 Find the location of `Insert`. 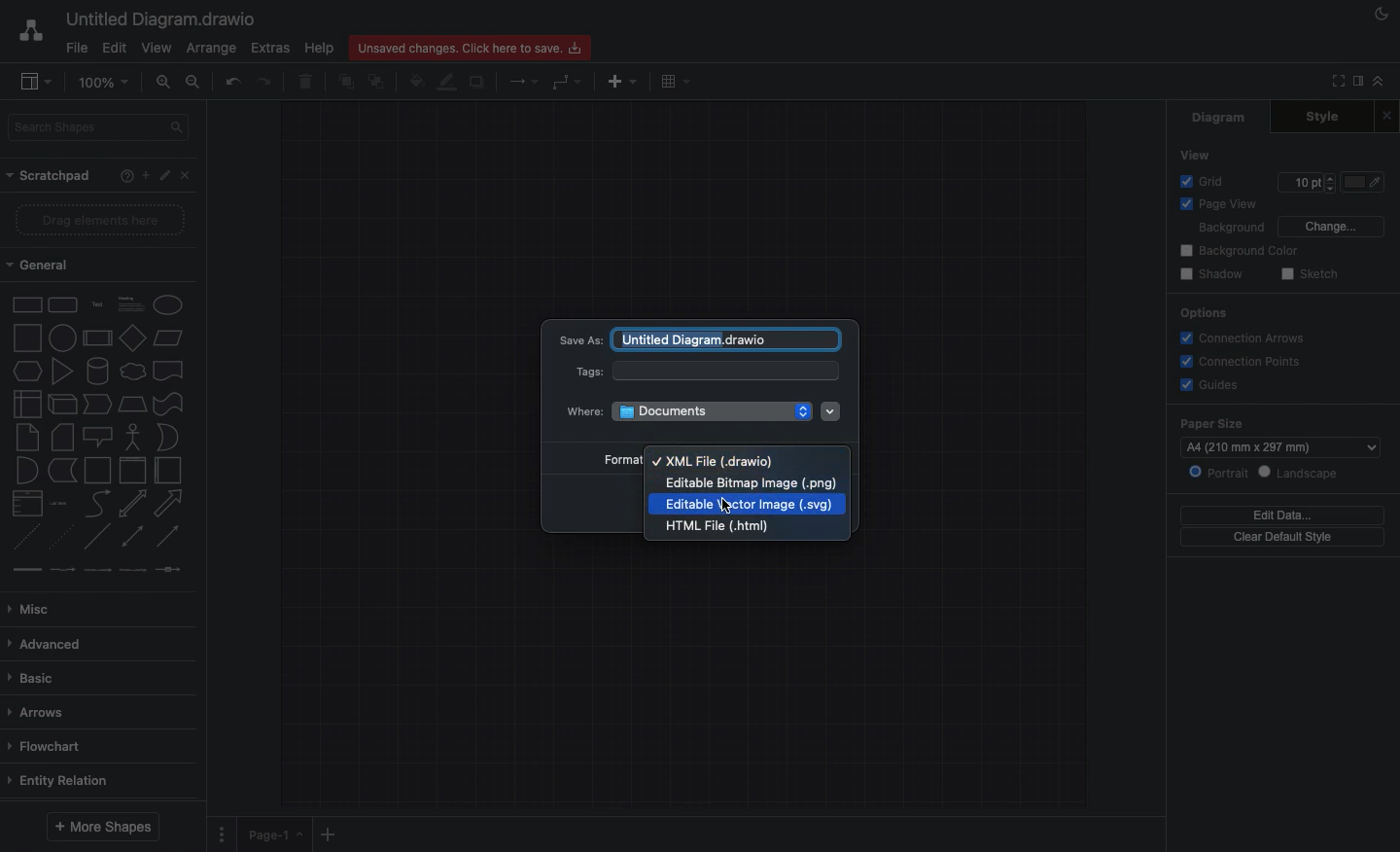

Insert is located at coordinates (620, 83).